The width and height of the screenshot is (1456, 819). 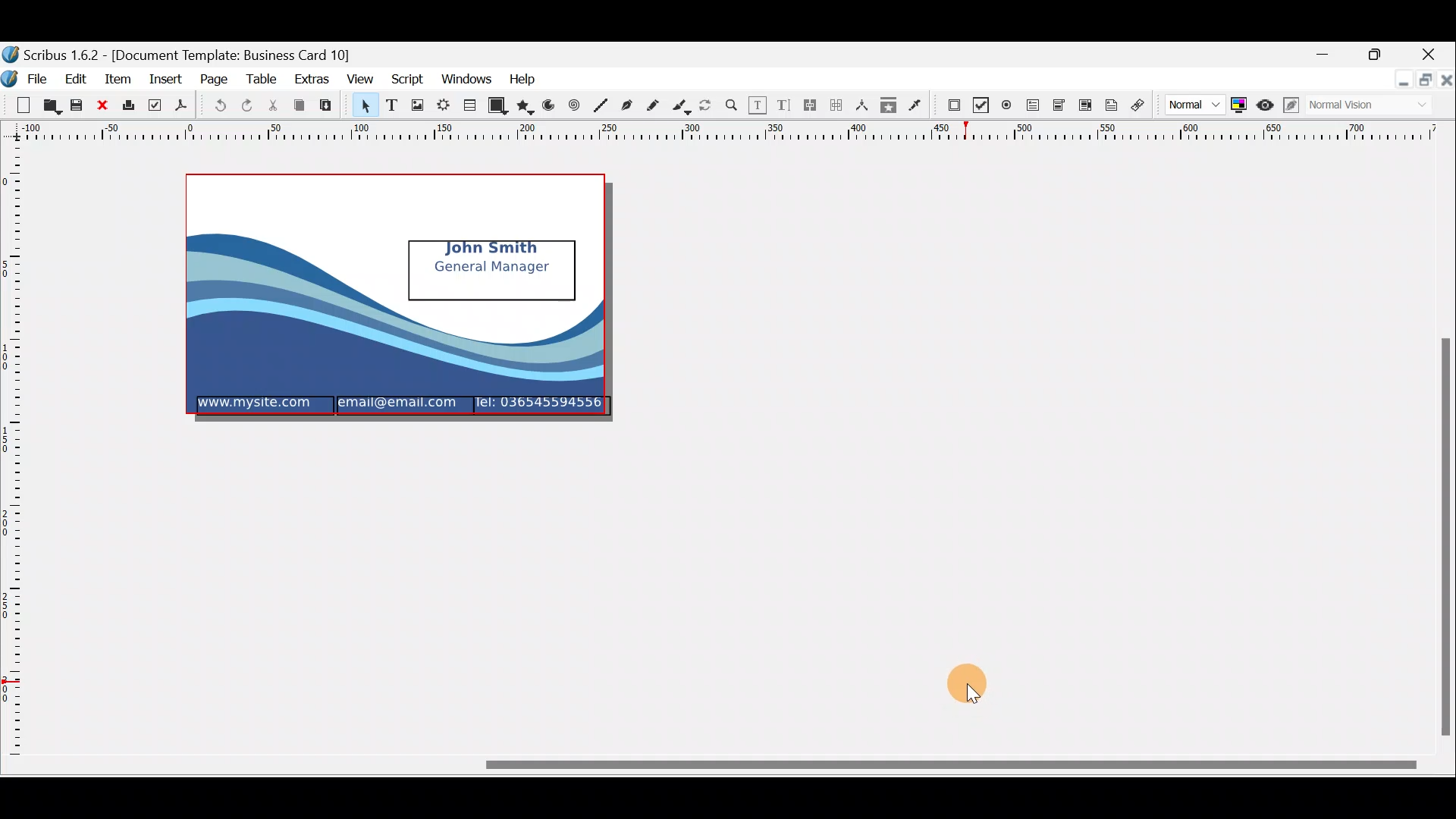 I want to click on Edit text with story editor, so click(x=784, y=104).